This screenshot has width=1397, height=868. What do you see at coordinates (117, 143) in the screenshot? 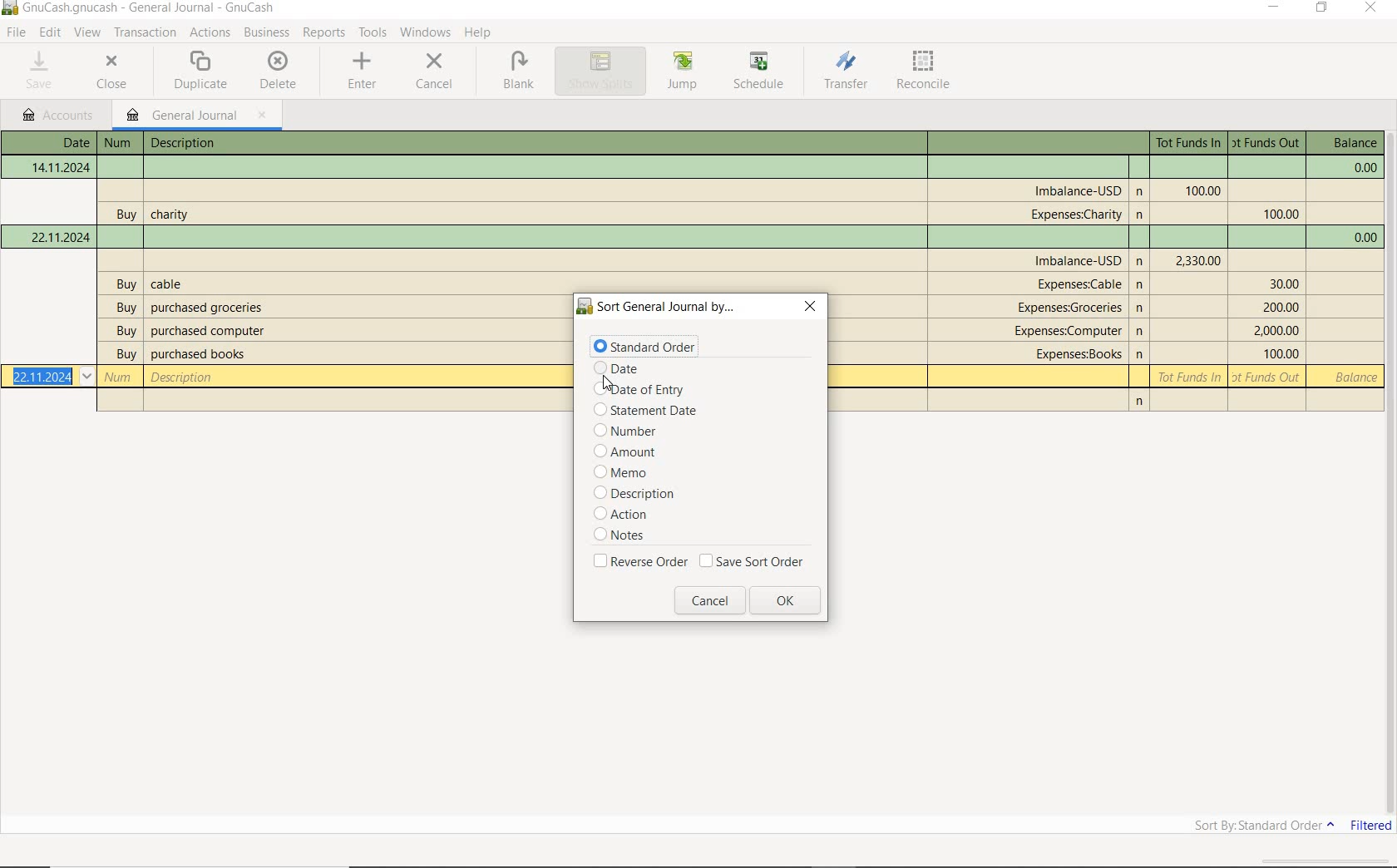
I see `Number` at bounding box center [117, 143].